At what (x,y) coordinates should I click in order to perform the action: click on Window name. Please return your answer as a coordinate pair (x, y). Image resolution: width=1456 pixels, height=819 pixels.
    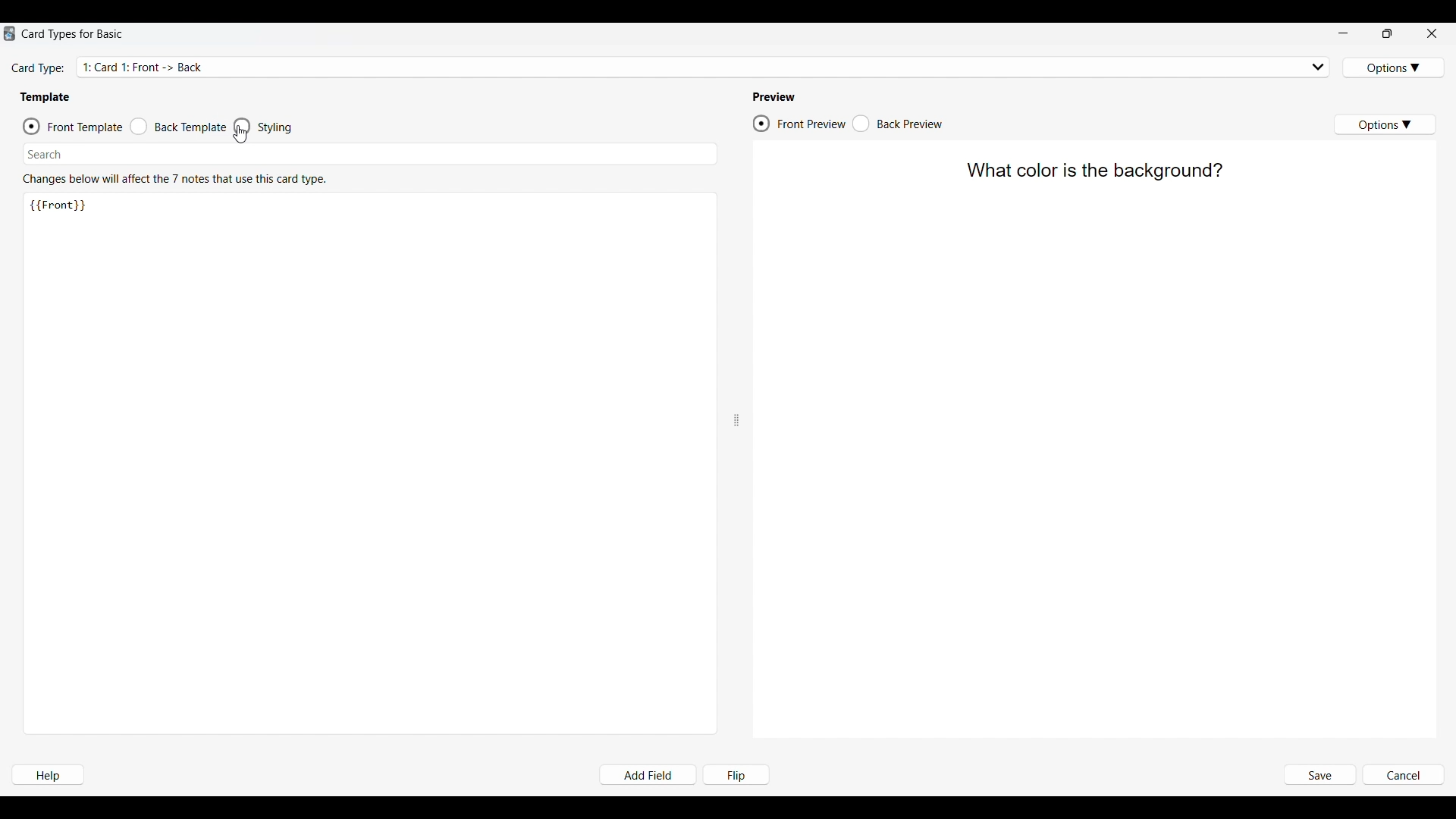
    Looking at the image, I should click on (74, 34).